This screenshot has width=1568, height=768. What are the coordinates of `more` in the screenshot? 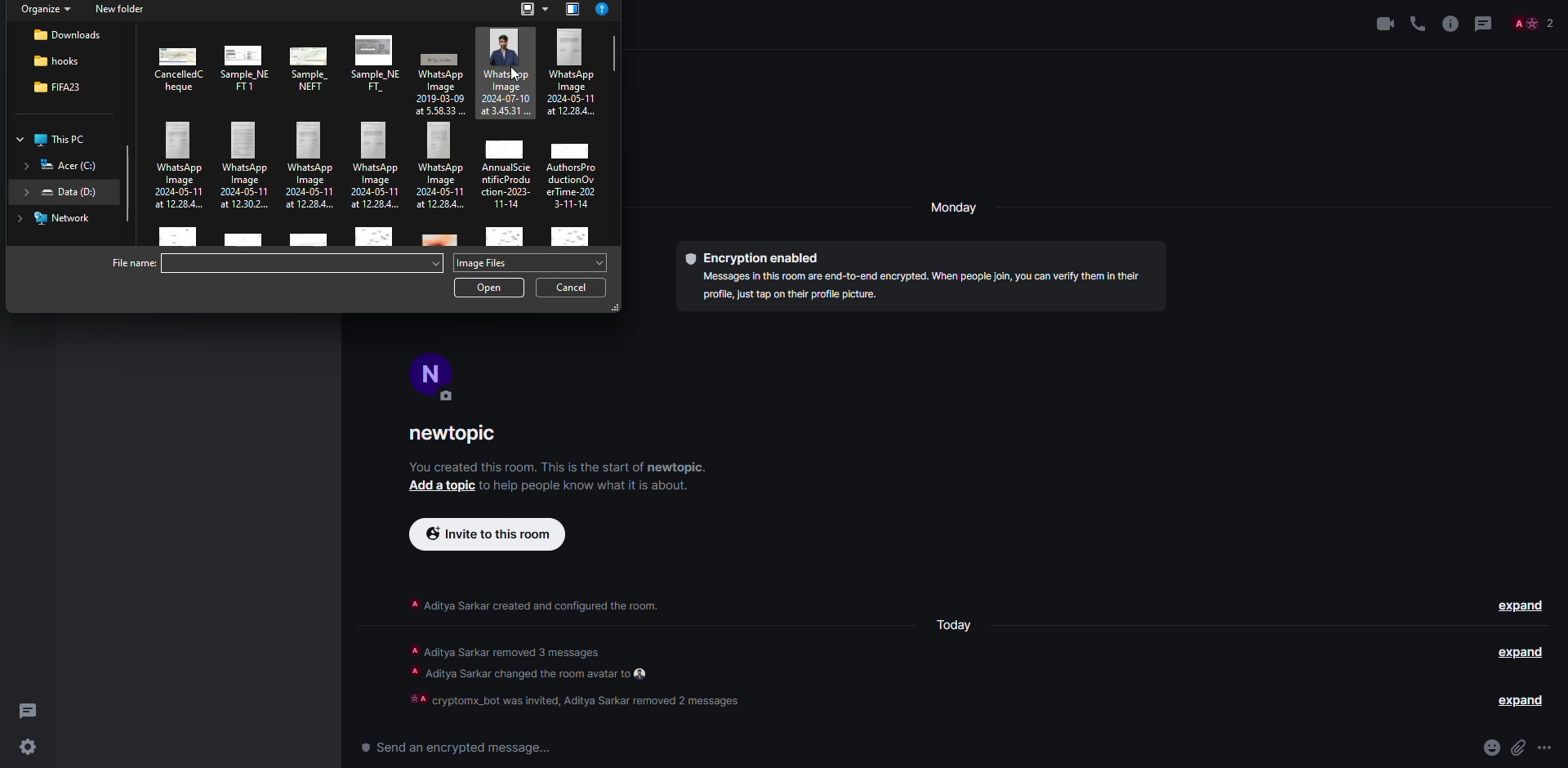 It's located at (1546, 747).